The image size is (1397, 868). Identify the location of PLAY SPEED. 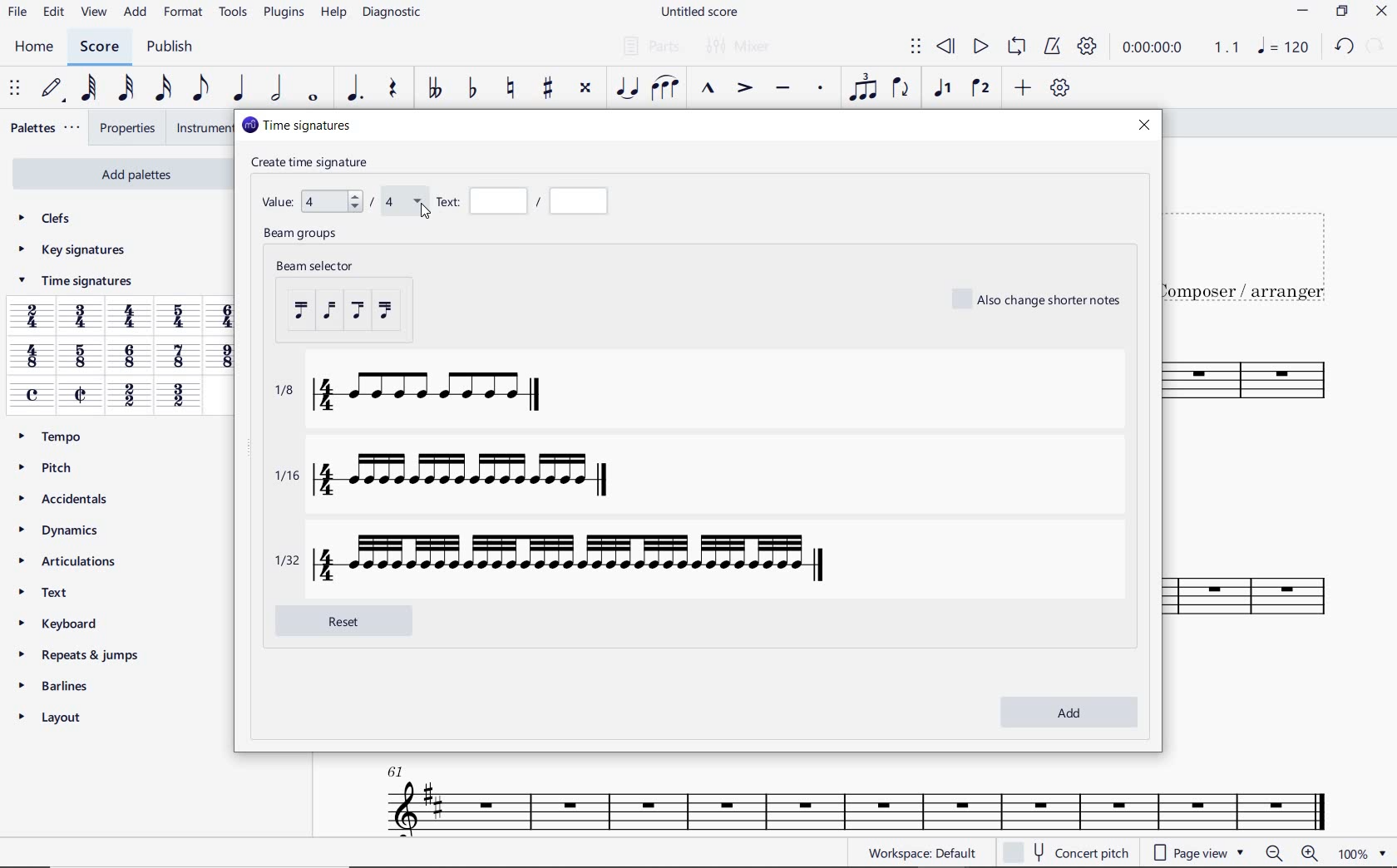
(1182, 48).